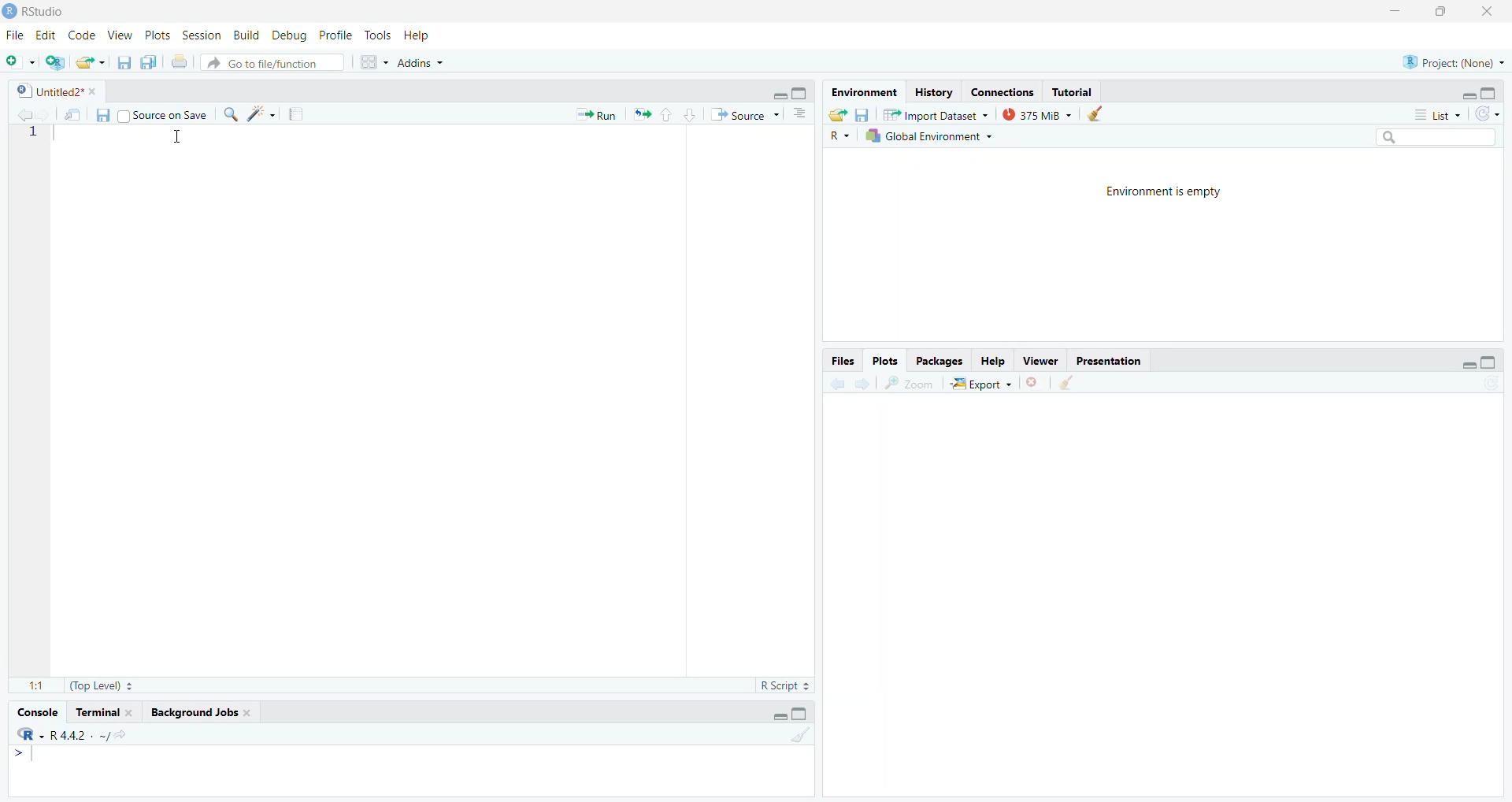  Describe the element at coordinates (166, 117) in the screenshot. I see `source on save` at that location.